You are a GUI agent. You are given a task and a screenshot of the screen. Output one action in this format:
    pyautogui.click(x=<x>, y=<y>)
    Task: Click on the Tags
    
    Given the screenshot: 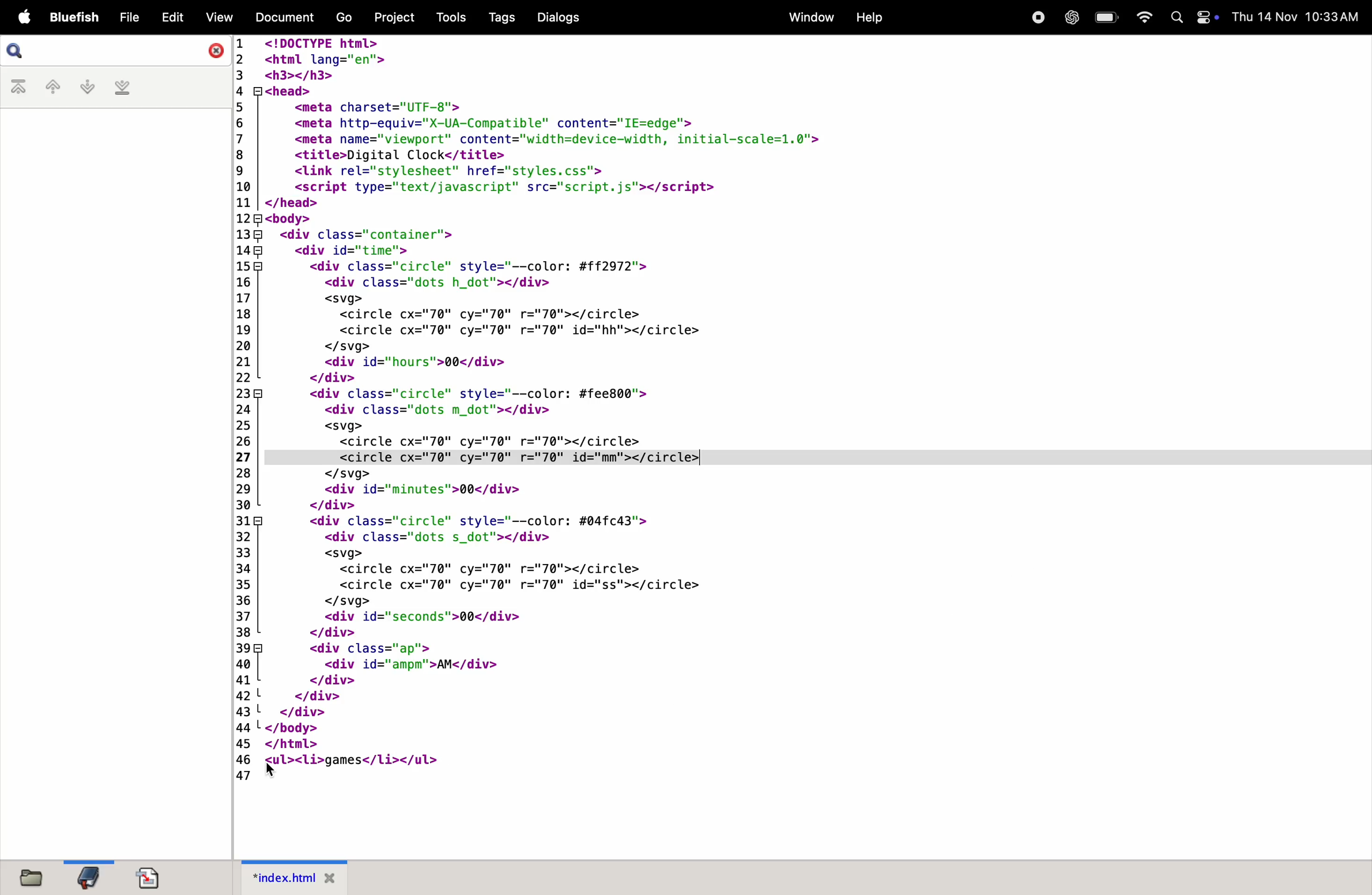 What is the action you would take?
    pyautogui.click(x=499, y=18)
    